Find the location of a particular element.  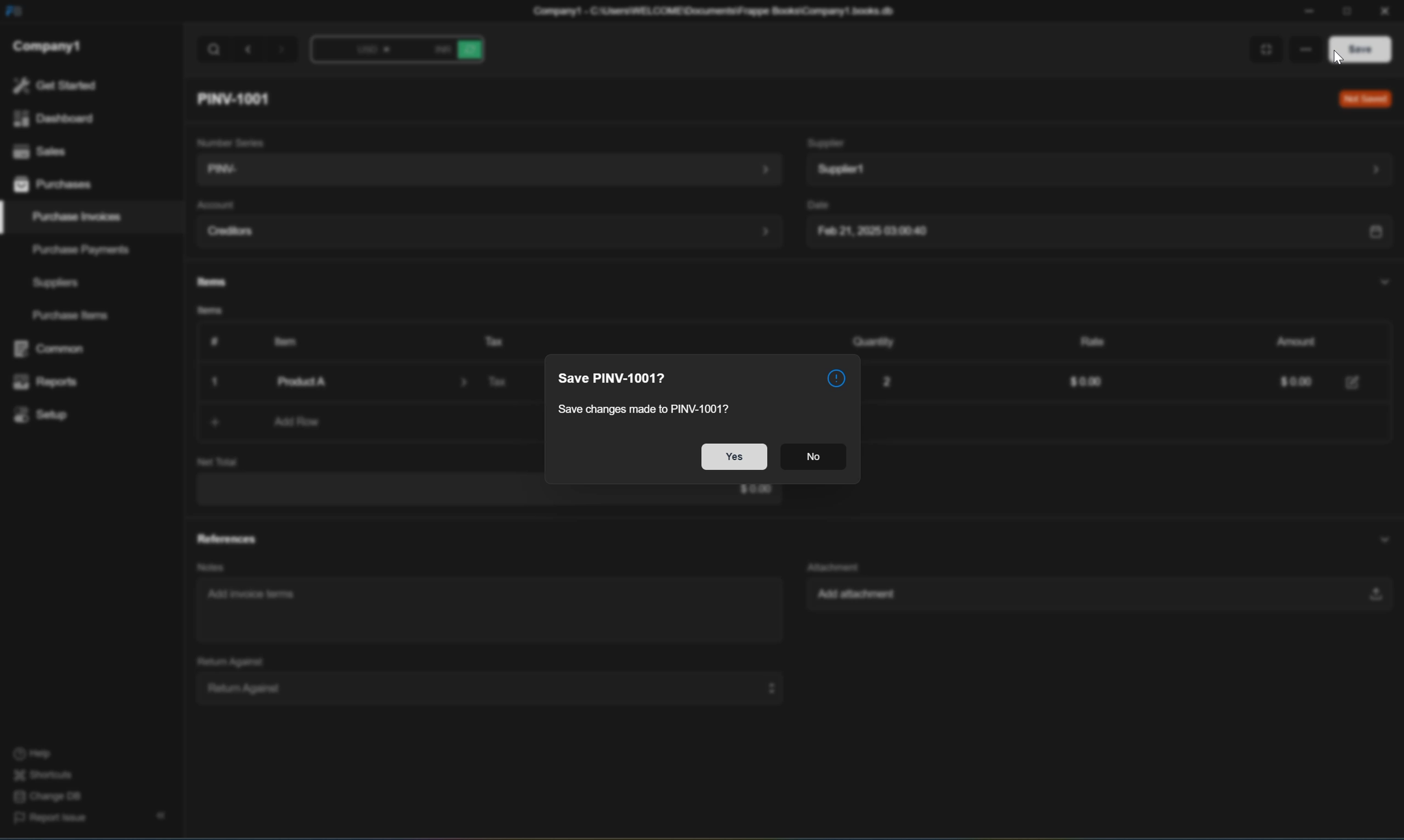

cursor is located at coordinates (1339, 59).